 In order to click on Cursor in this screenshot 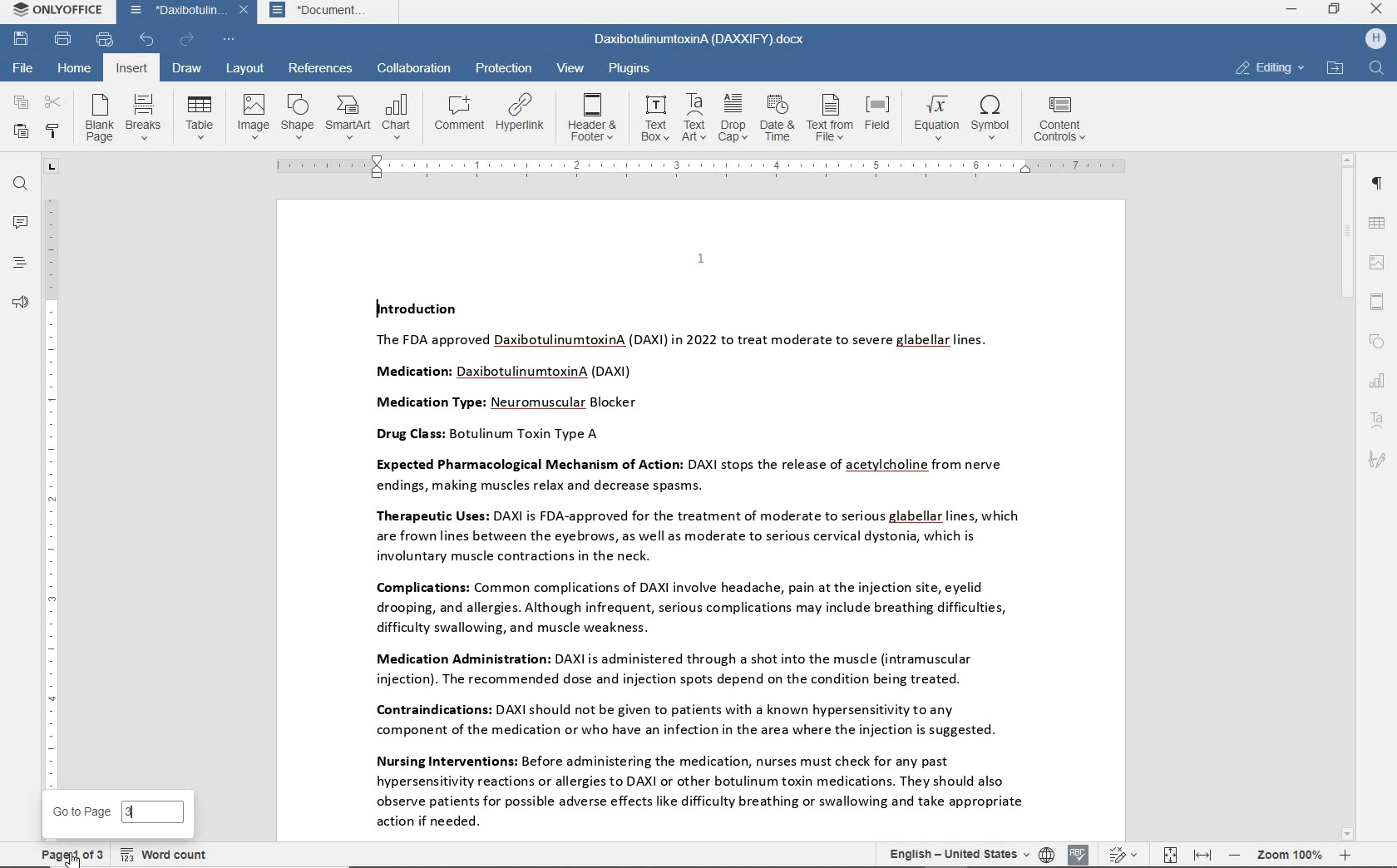, I will do `click(72, 857)`.